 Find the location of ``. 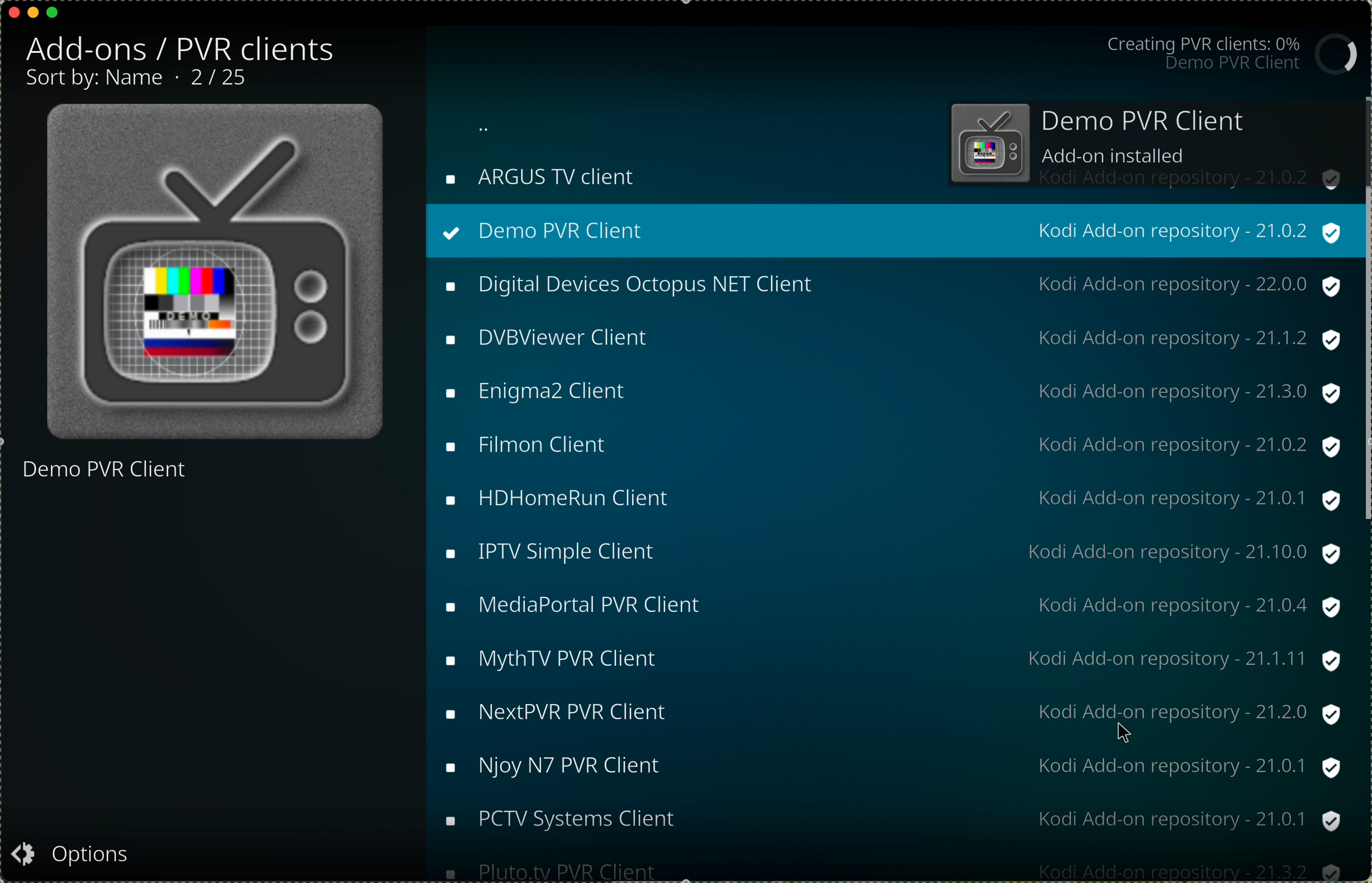

 is located at coordinates (888, 228).